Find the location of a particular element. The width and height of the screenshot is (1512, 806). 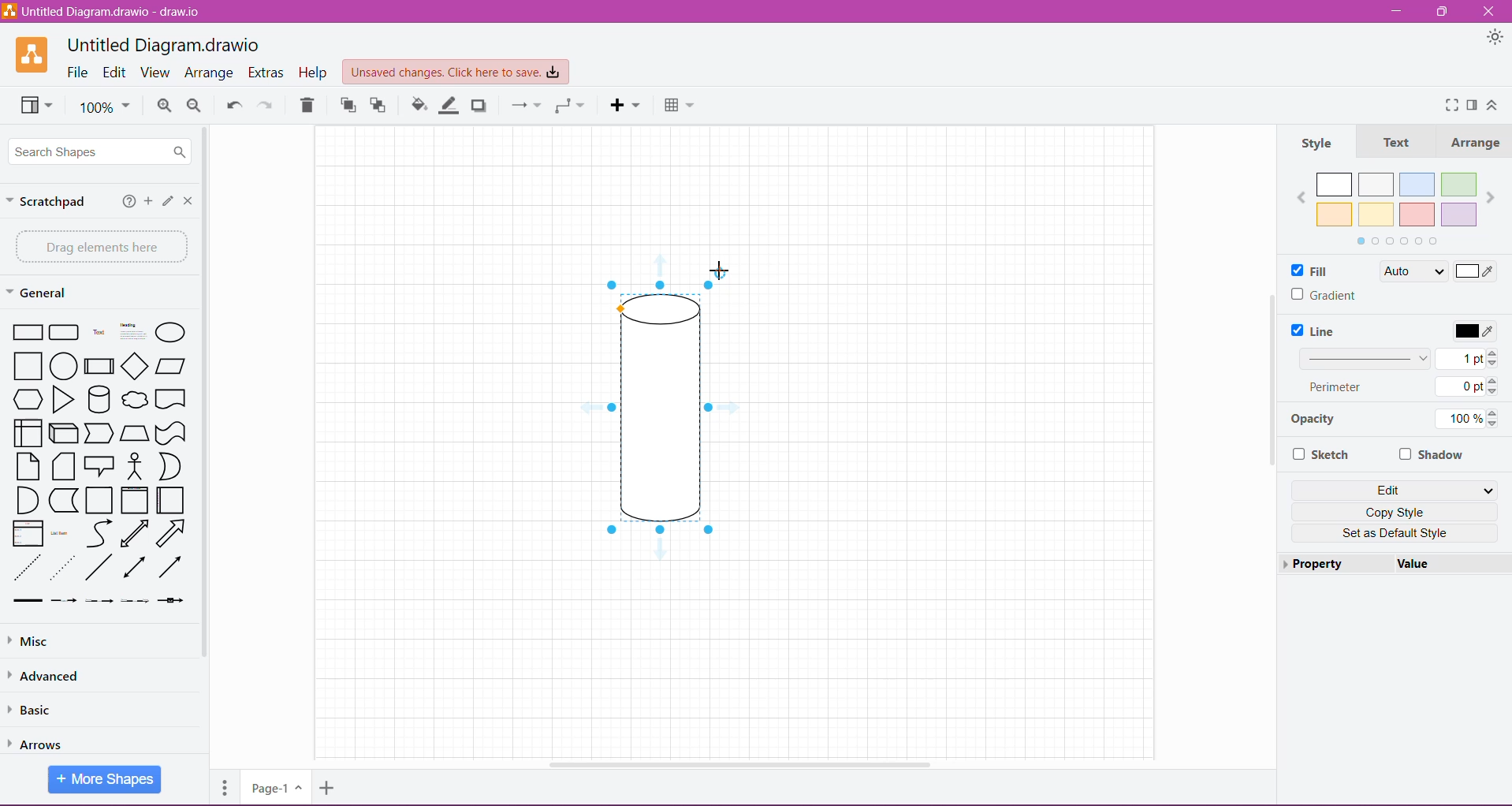

File is located at coordinates (78, 73).